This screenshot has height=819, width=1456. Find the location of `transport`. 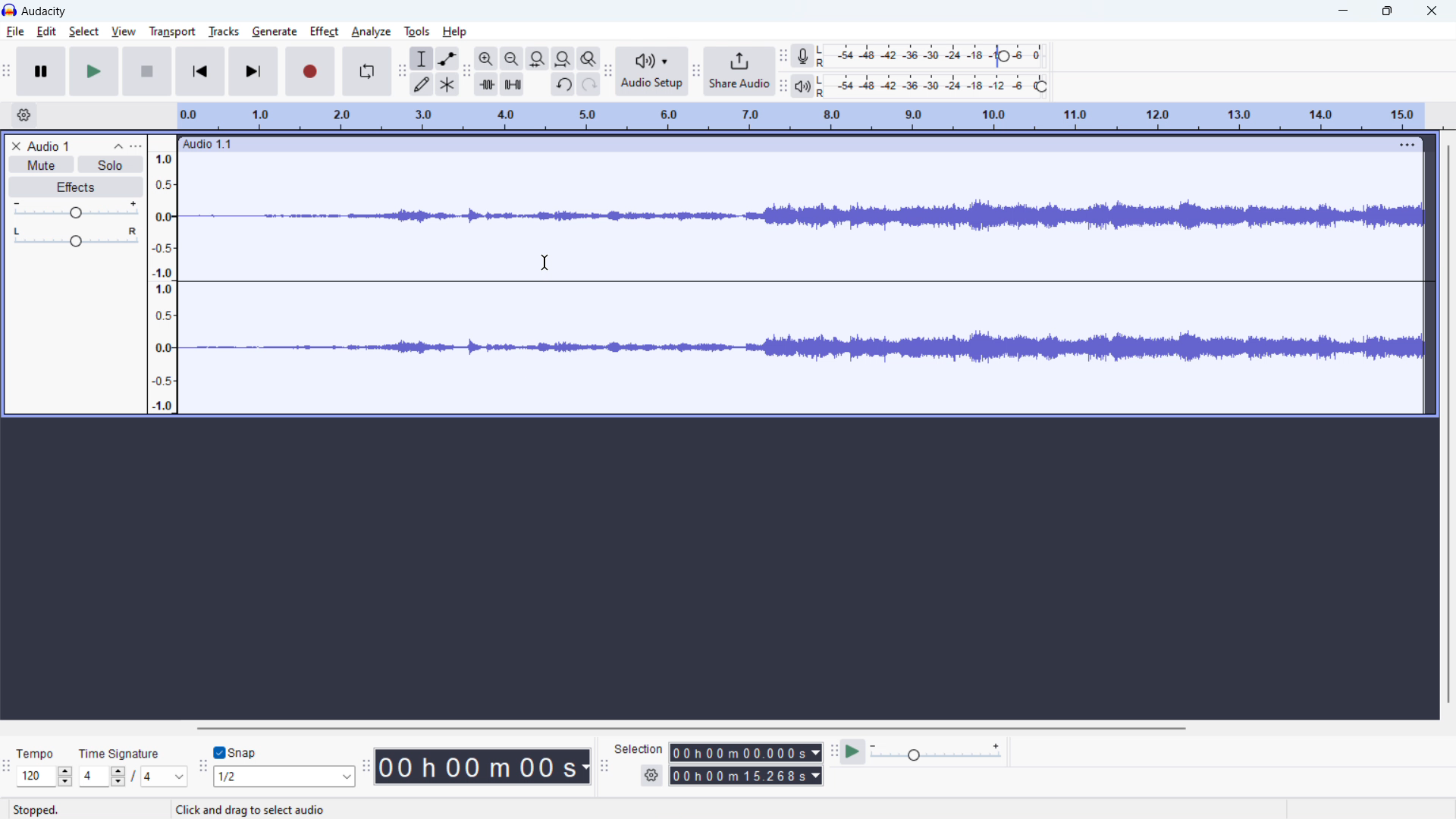

transport is located at coordinates (172, 33).